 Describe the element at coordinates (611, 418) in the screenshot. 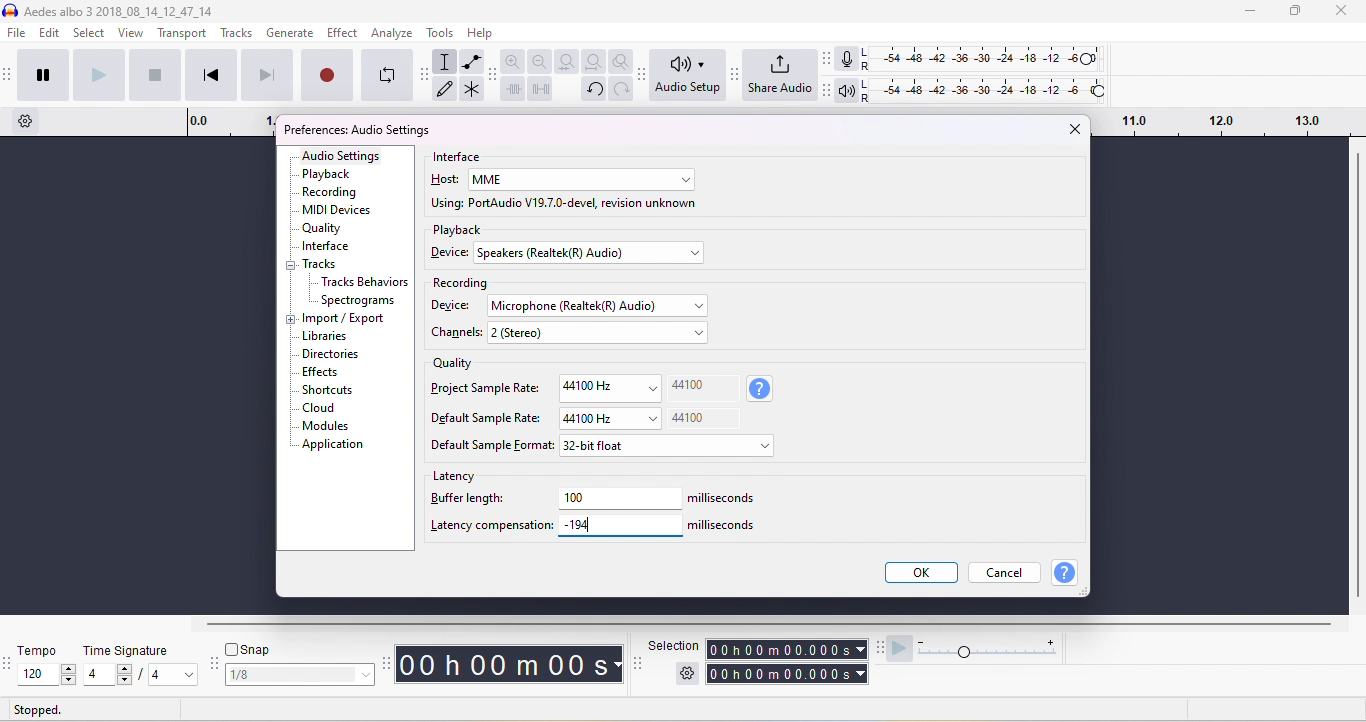

I see `44100 Hz` at that location.